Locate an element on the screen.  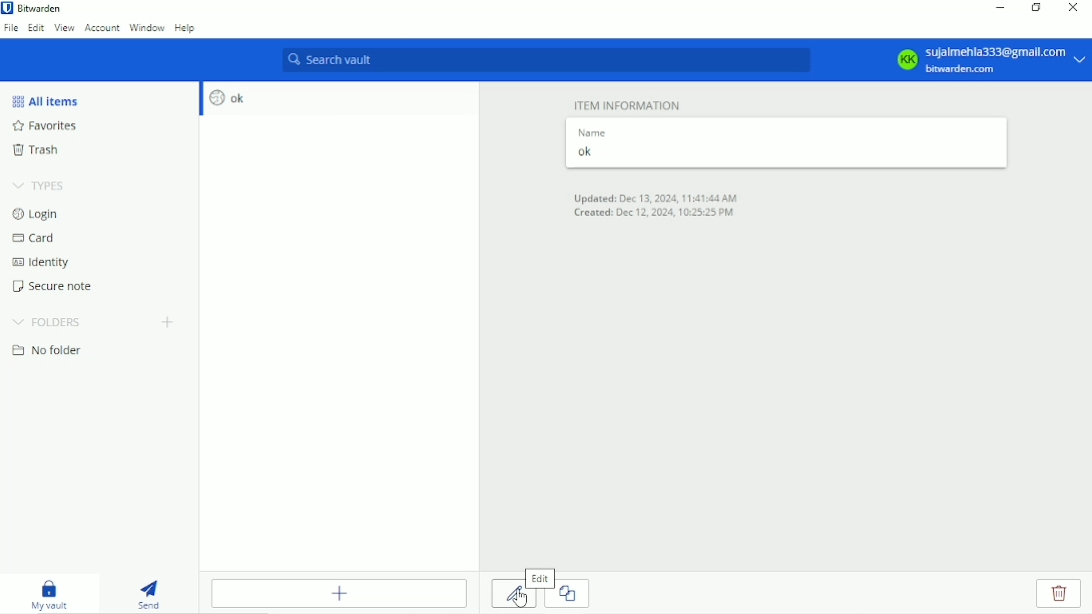
cursor is located at coordinates (520, 598).